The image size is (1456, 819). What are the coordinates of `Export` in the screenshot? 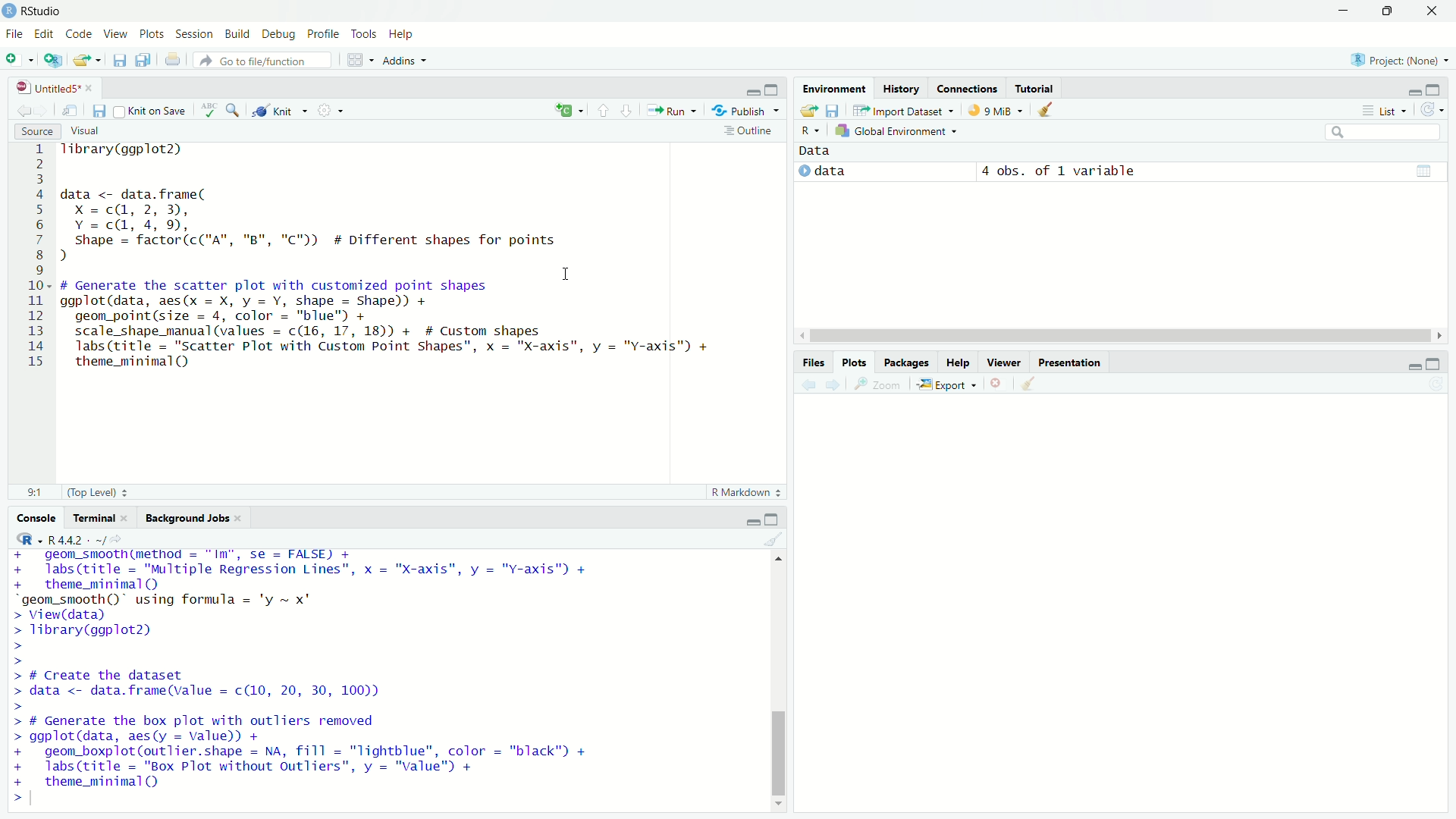 It's located at (946, 384).